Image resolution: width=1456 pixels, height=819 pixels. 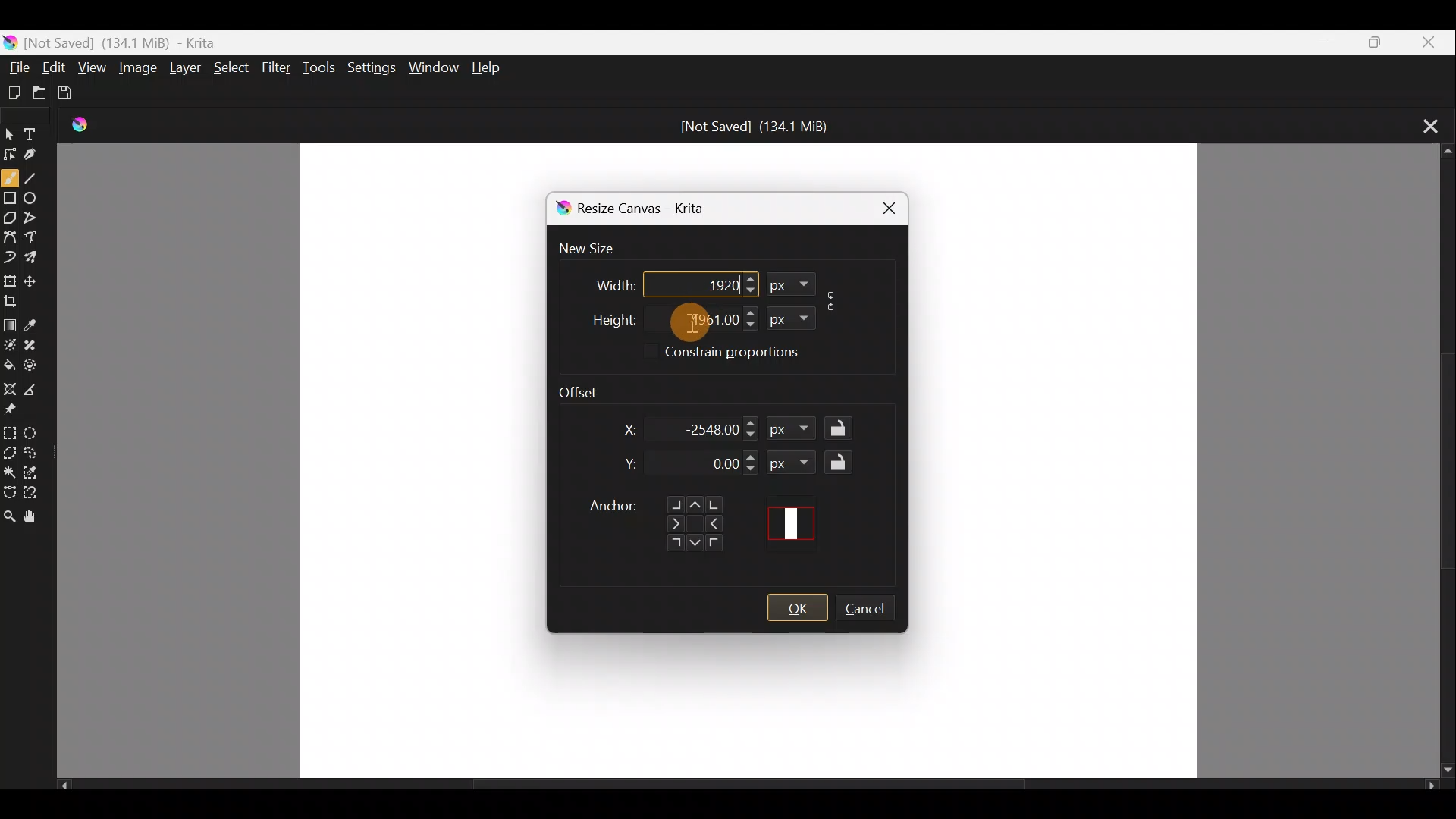 I want to click on Increase width, so click(x=750, y=278).